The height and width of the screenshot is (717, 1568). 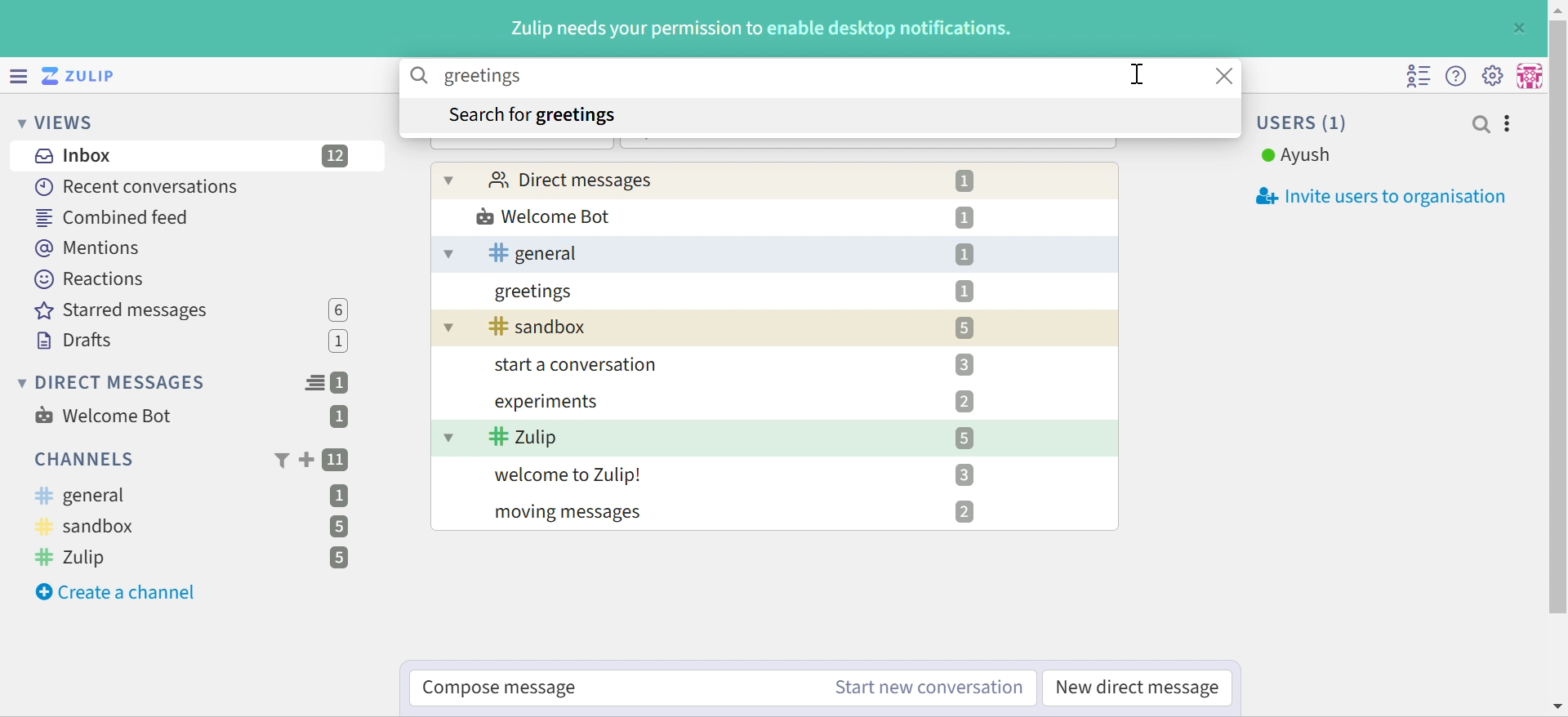 What do you see at coordinates (537, 253) in the screenshot?
I see `#general` at bounding box center [537, 253].